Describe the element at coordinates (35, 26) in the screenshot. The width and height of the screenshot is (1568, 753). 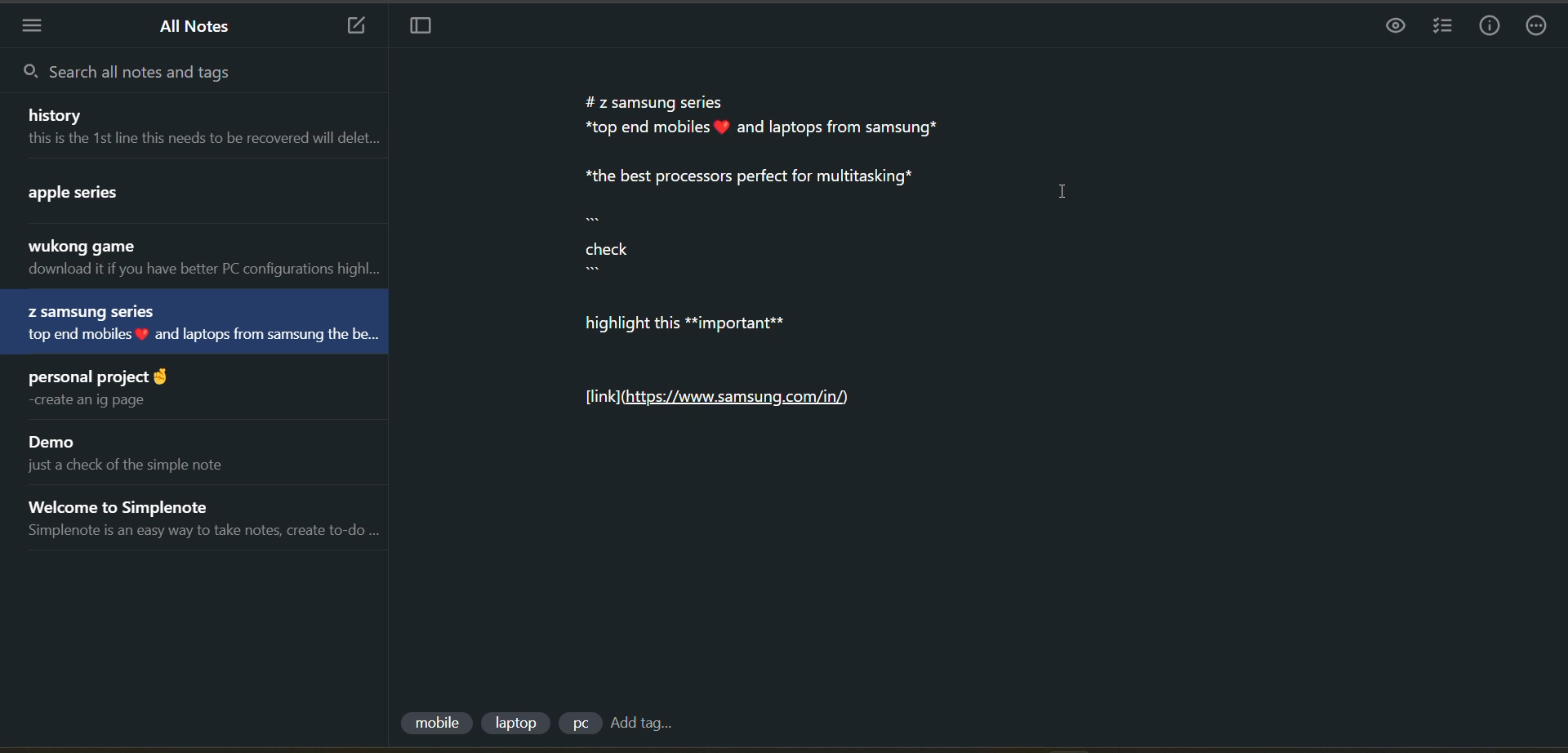
I see `menu` at that location.